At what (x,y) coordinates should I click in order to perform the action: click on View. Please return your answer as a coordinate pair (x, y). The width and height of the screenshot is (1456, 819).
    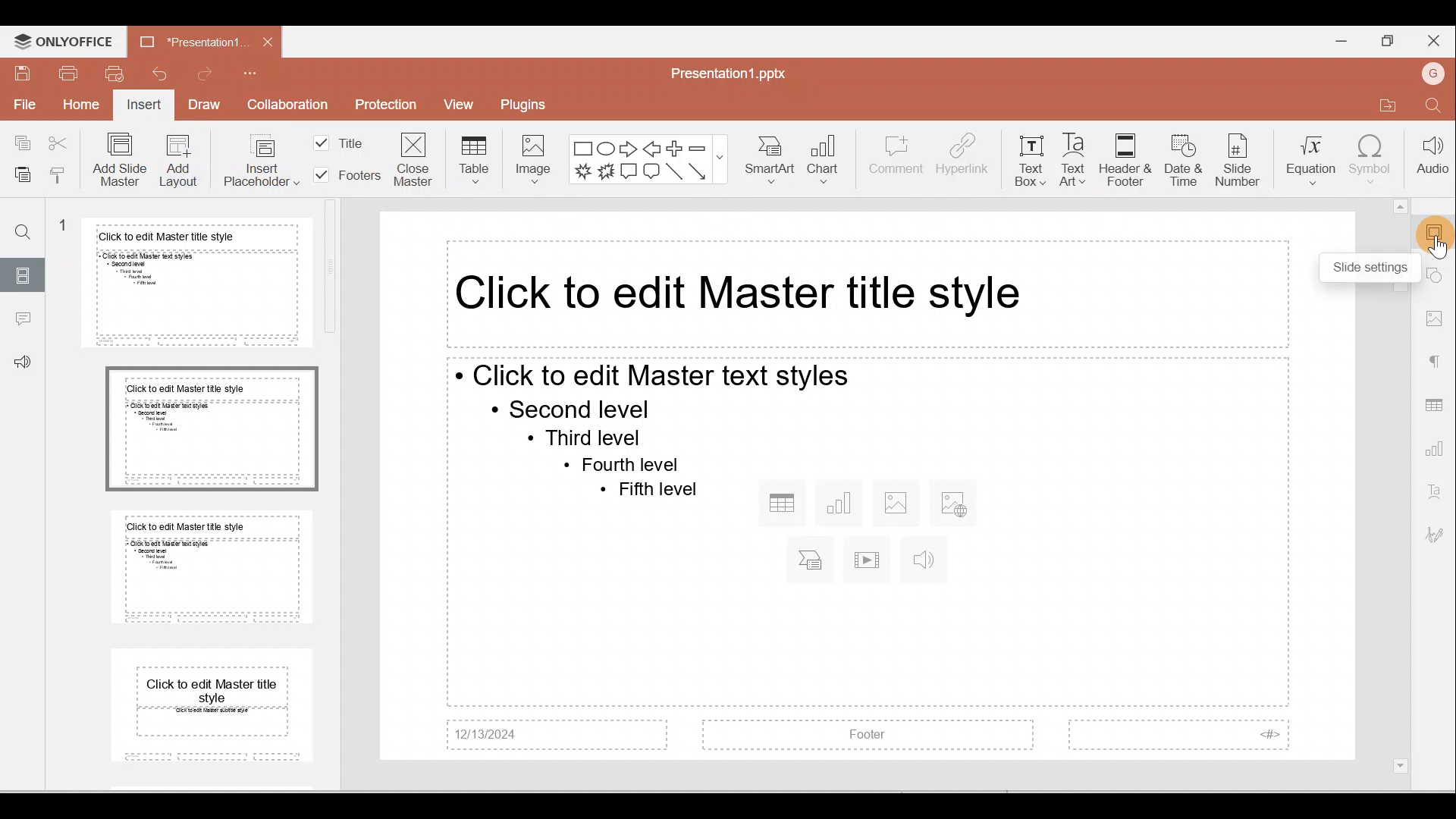
    Looking at the image, I should click on (461, 106).